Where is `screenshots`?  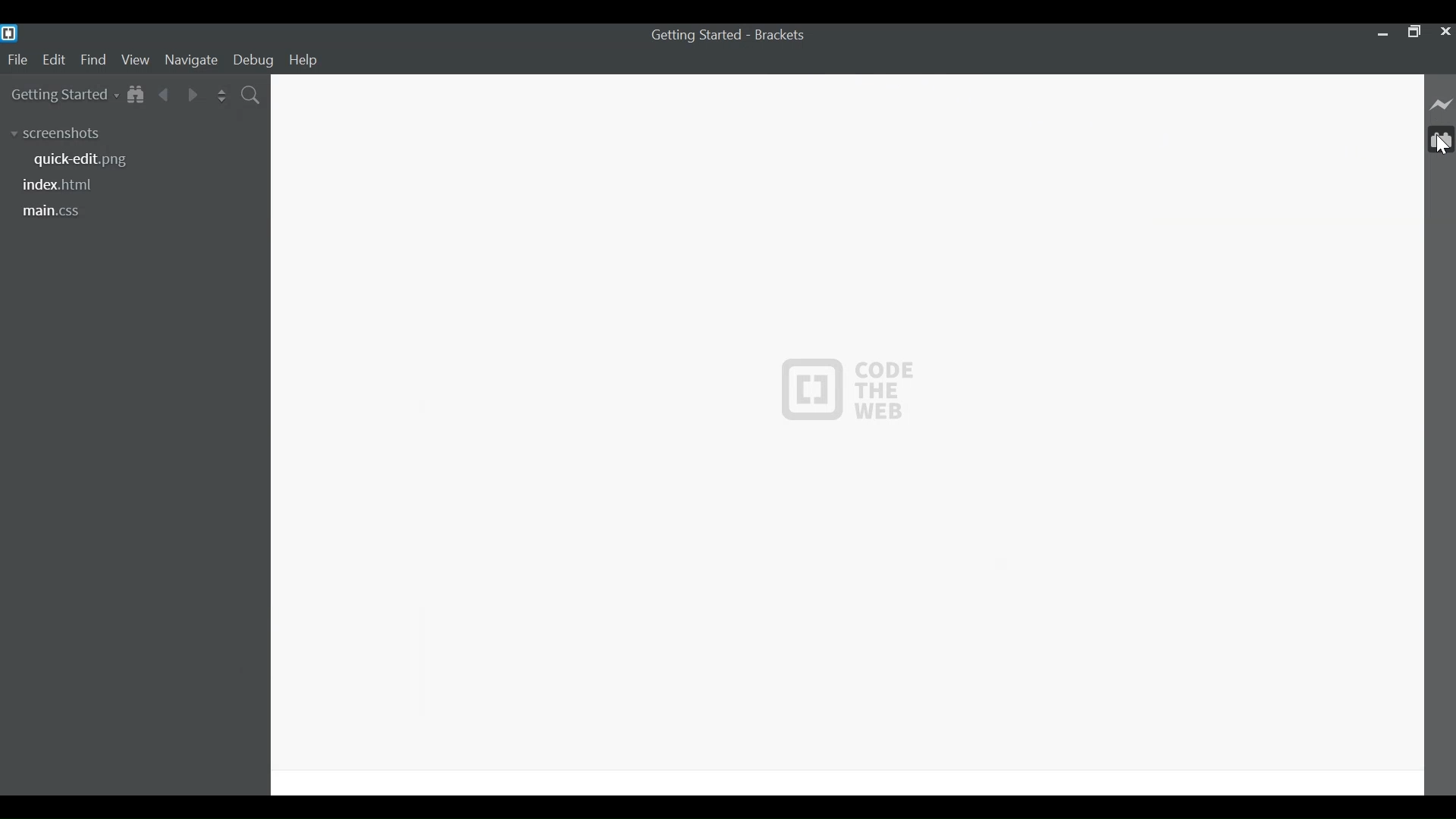
screenshots is located at coordinates (56, 133).